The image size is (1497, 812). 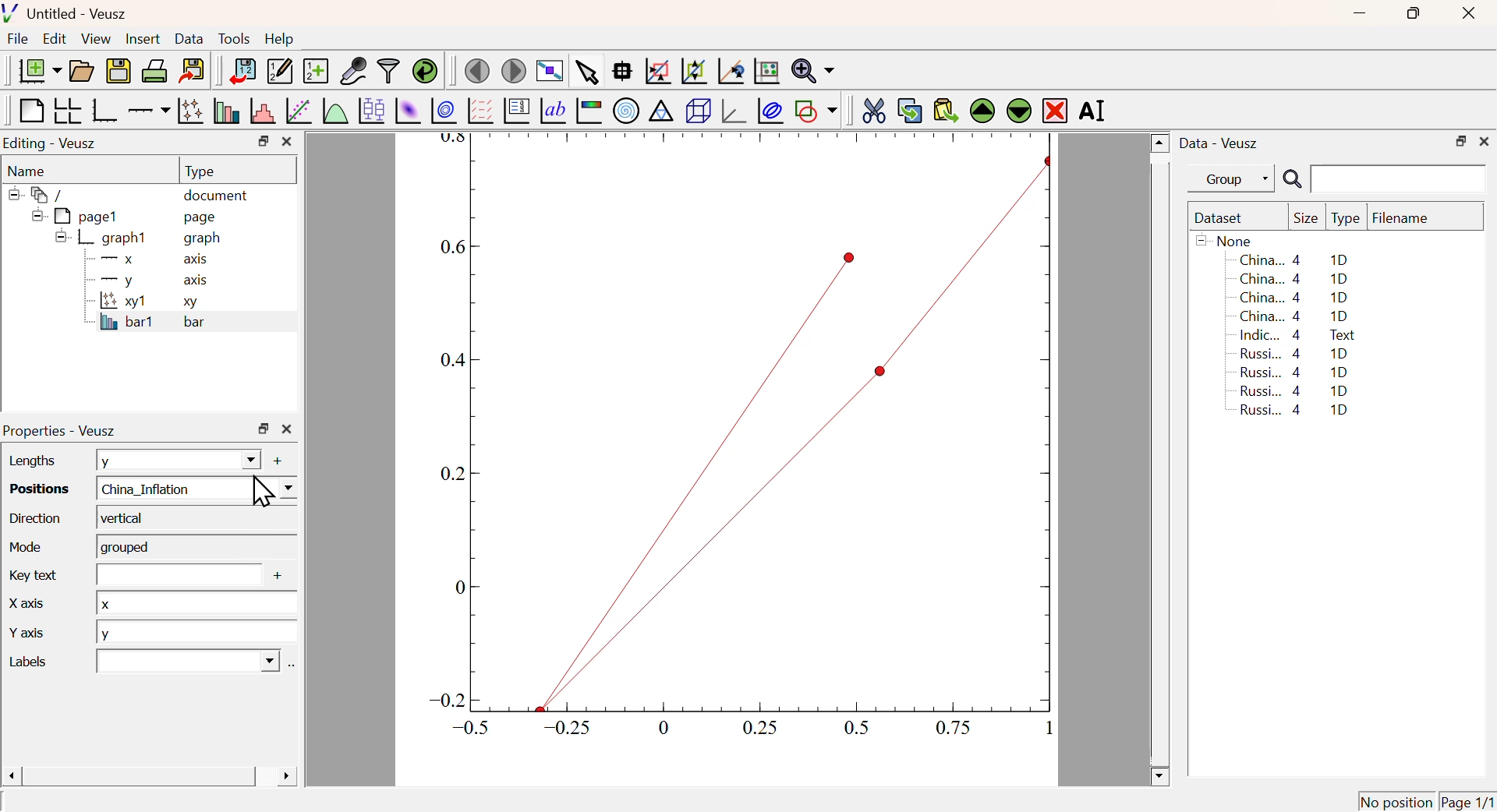 What do you see at coordinates (1226, 240) in the screenshot?
I see `None` at bounding box center [1226, 240].